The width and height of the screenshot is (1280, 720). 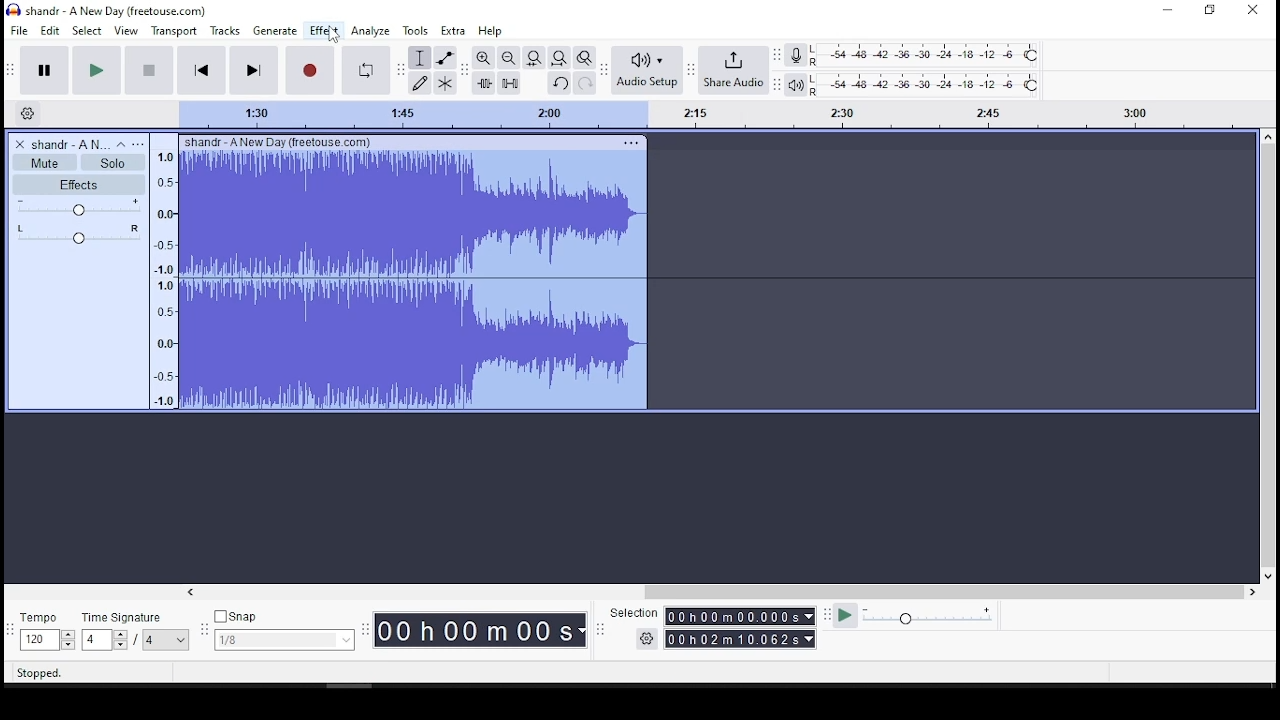 I want to click on , so click(x=44, y=69).